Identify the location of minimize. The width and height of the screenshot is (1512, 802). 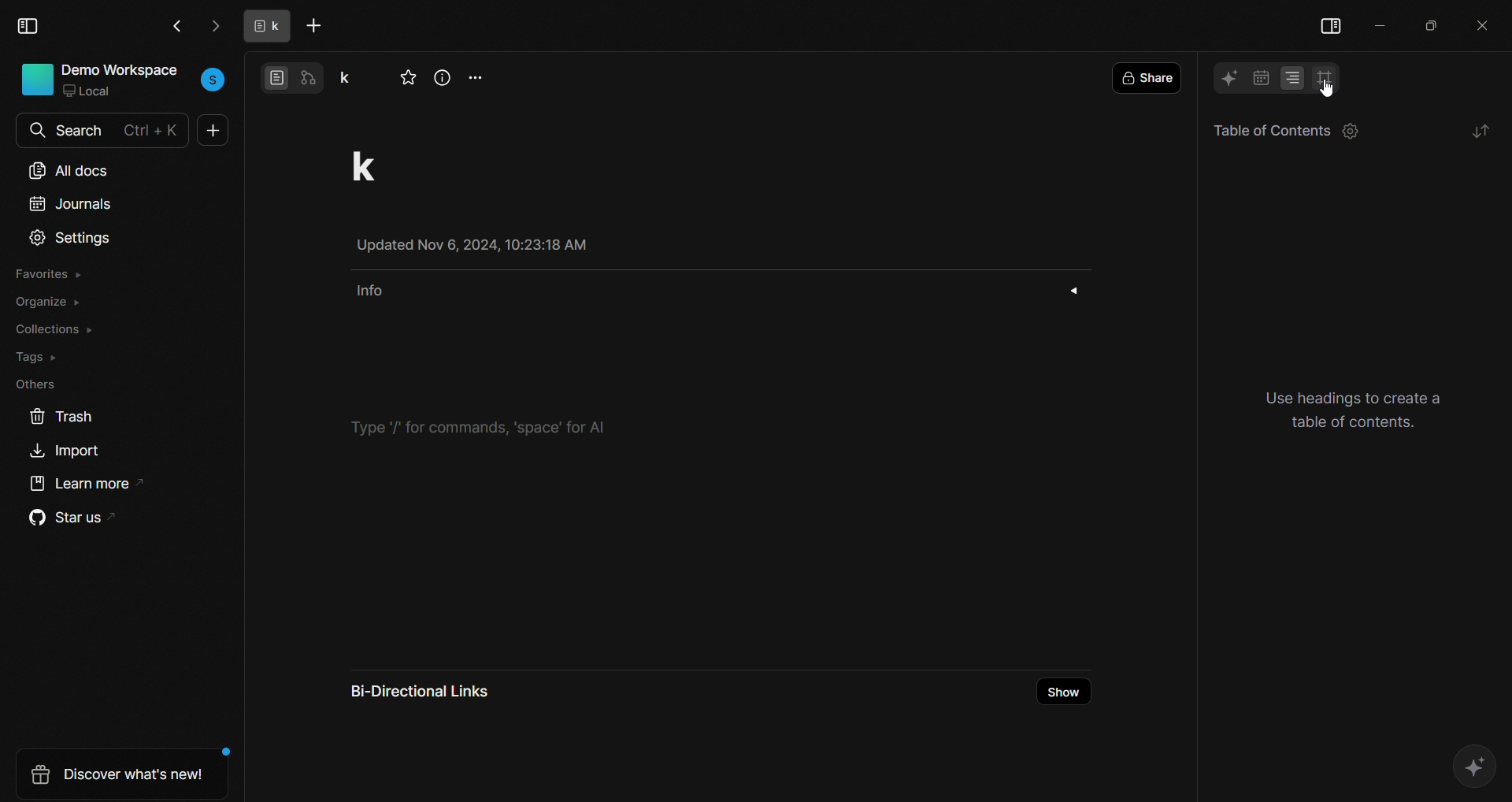
(1384, 24).